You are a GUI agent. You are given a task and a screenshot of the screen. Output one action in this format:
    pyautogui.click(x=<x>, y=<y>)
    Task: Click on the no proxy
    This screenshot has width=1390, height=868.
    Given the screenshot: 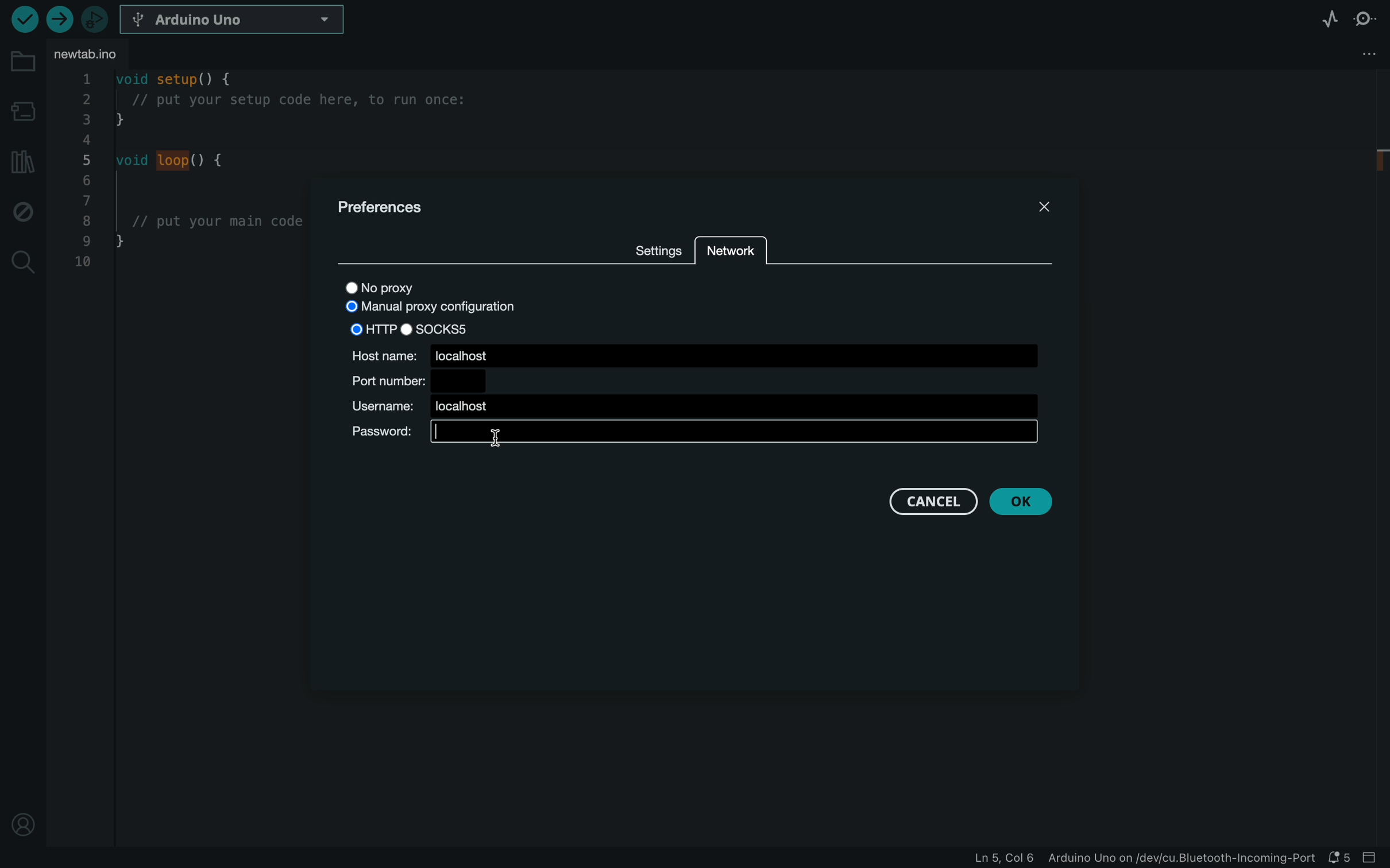 What is the action you would take?
    pyautogui.click(x=410, y=286)
    